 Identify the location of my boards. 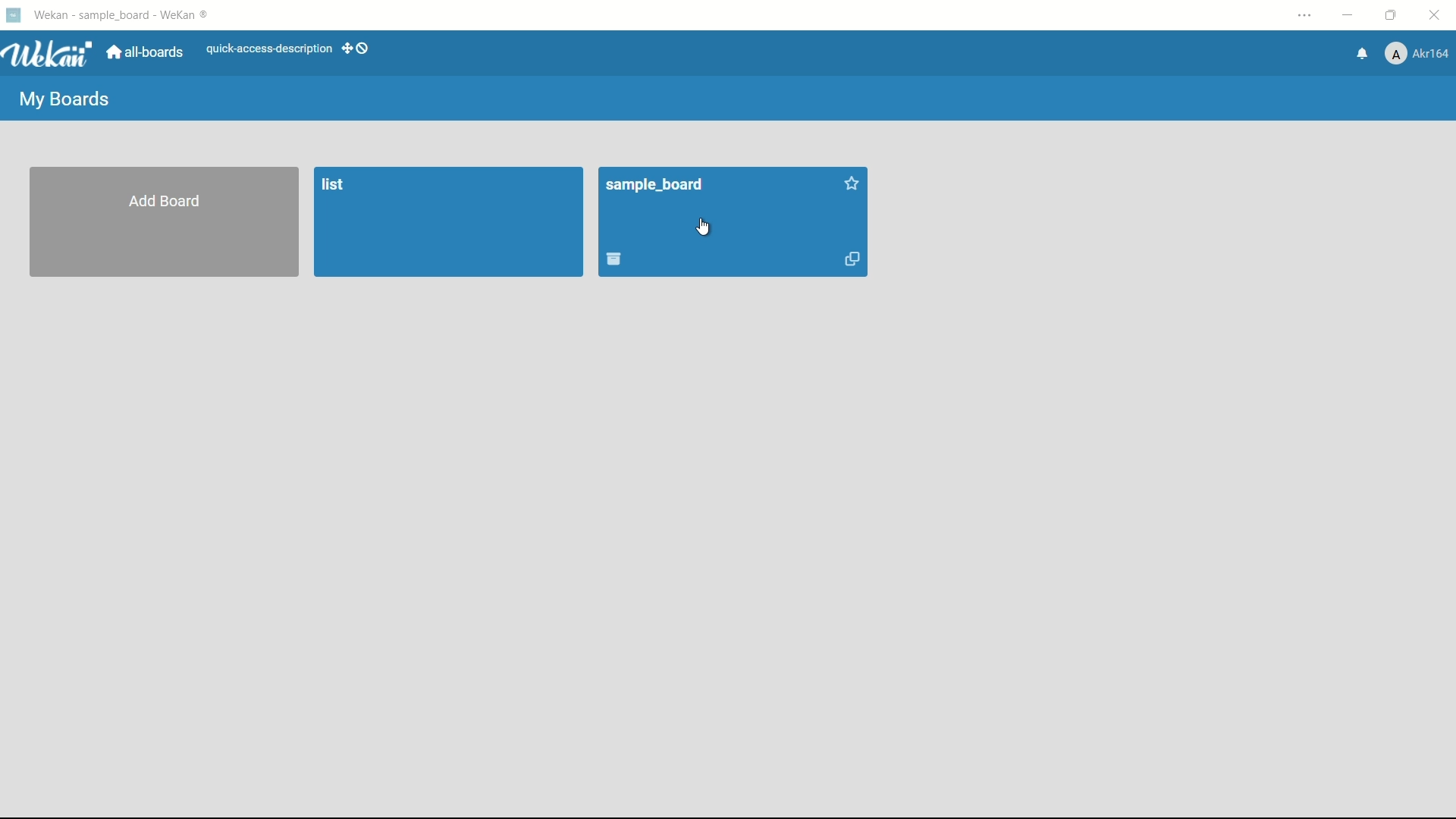
(66, 99).